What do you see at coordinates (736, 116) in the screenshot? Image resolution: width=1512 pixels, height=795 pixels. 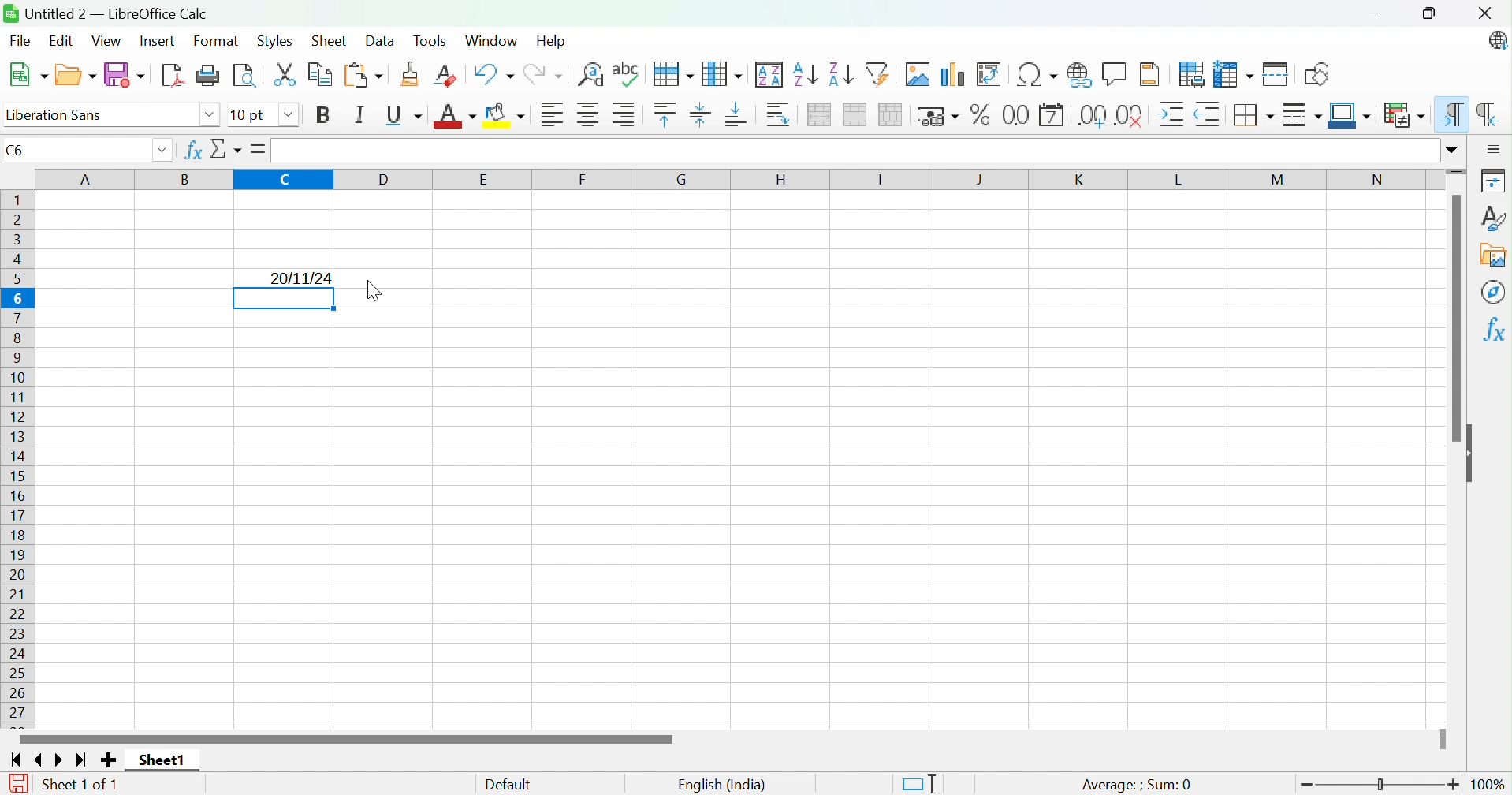 I see `Align bottom` at bounding box center [736, 116].